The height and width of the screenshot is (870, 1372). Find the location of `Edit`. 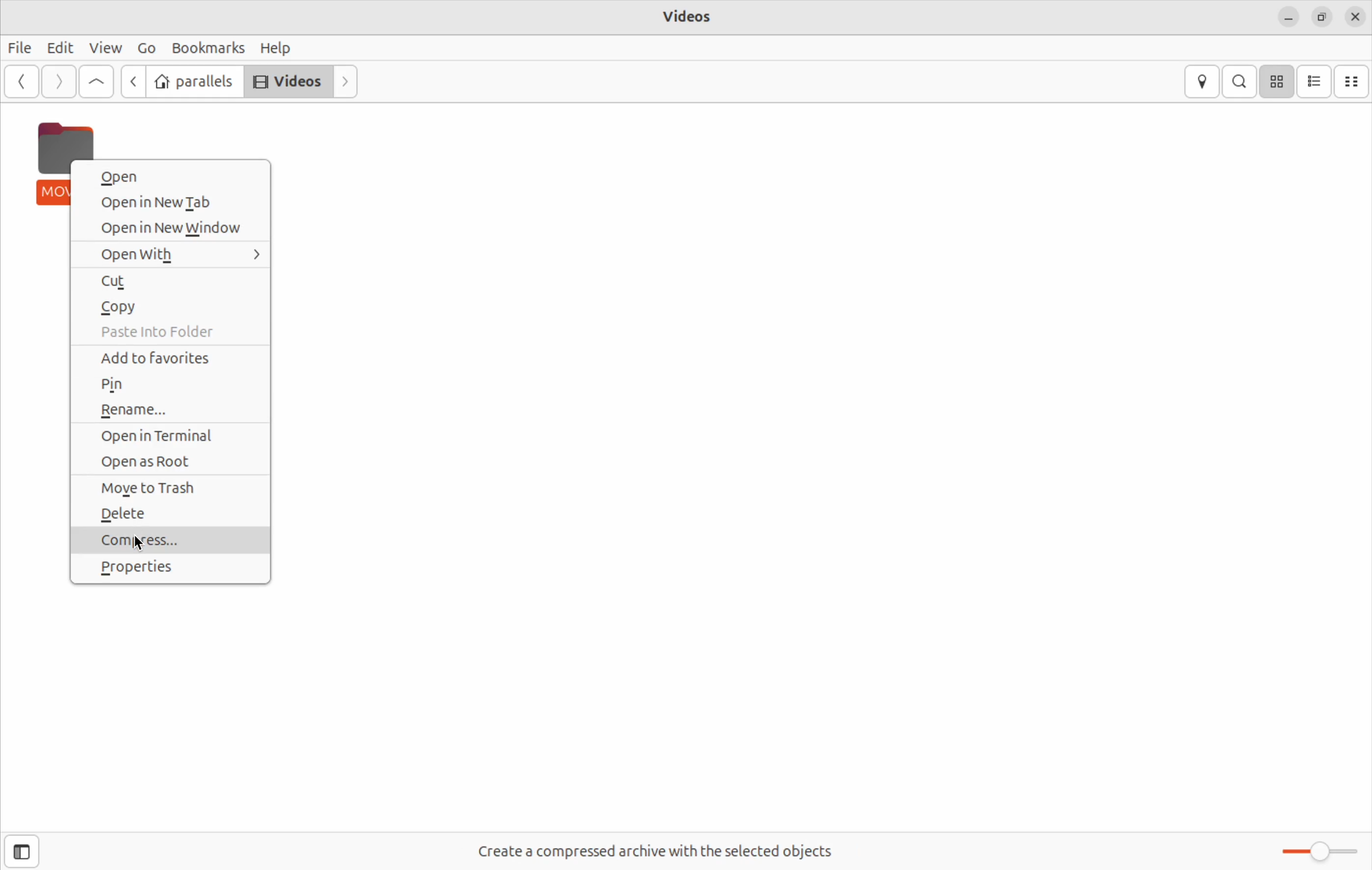

Edit is located at coordinates (57, 47).